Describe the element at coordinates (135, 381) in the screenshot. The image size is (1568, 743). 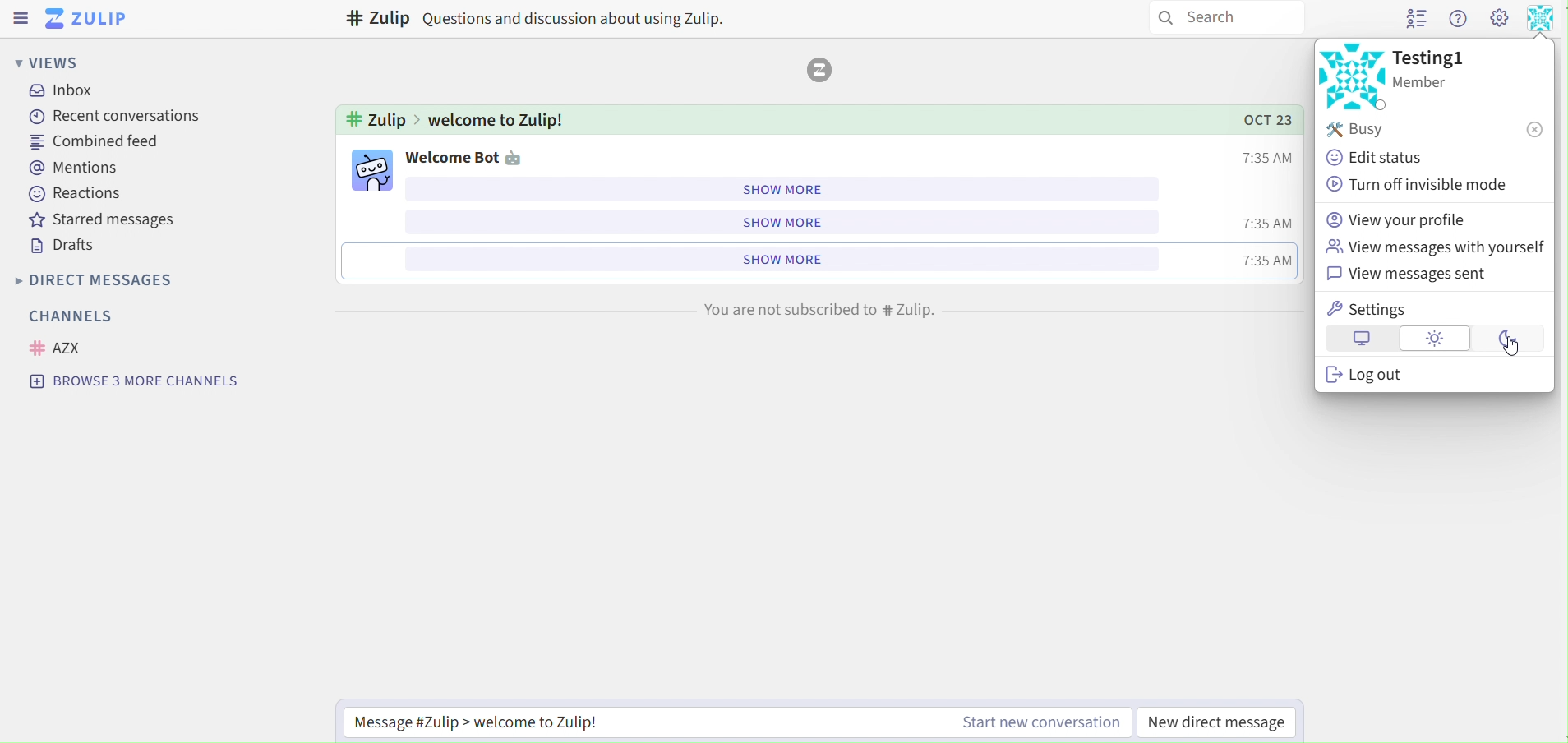
I see `browse 3 more channels` at that location.